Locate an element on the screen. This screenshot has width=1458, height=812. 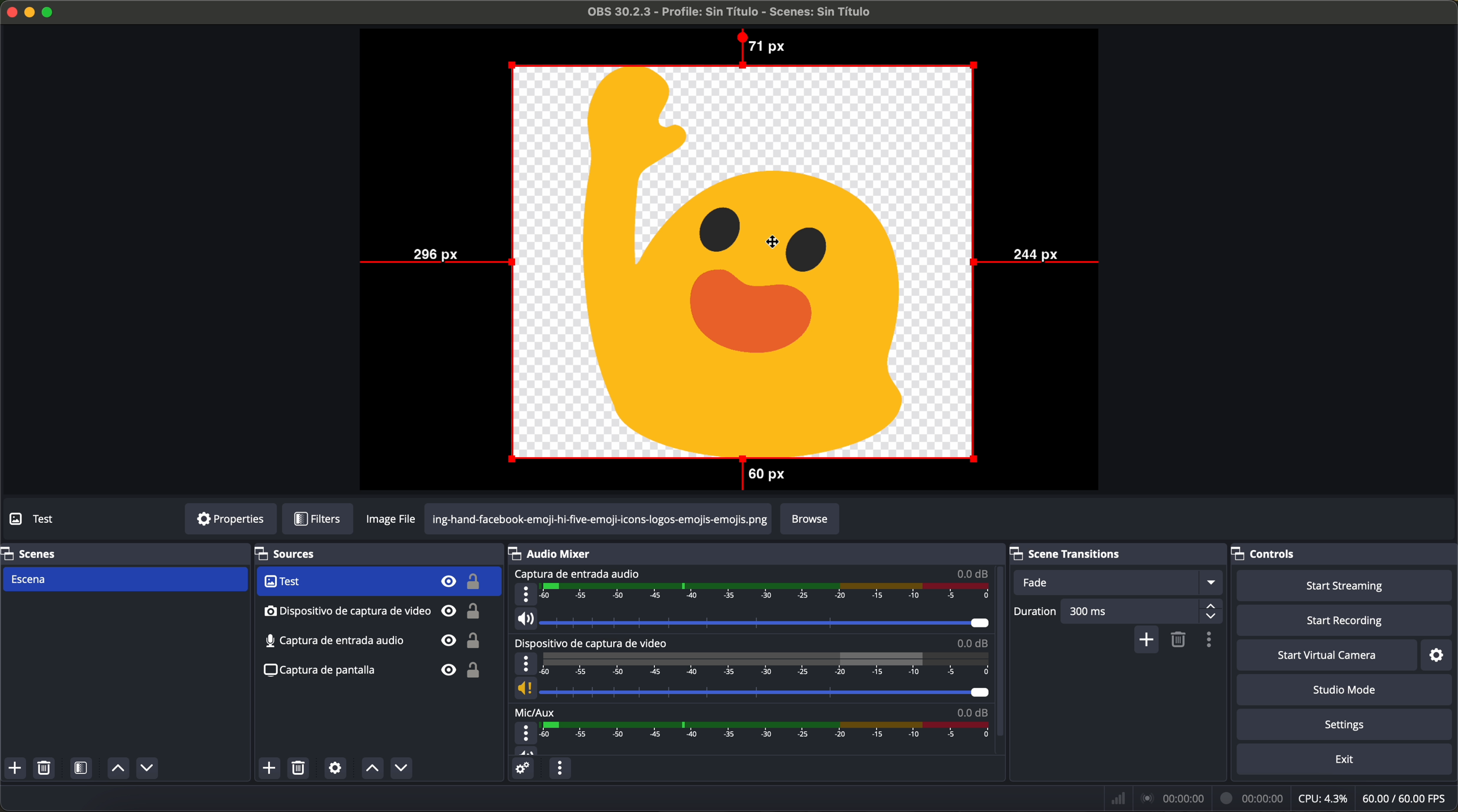
296 px distance is located at coordinates (435, 257).